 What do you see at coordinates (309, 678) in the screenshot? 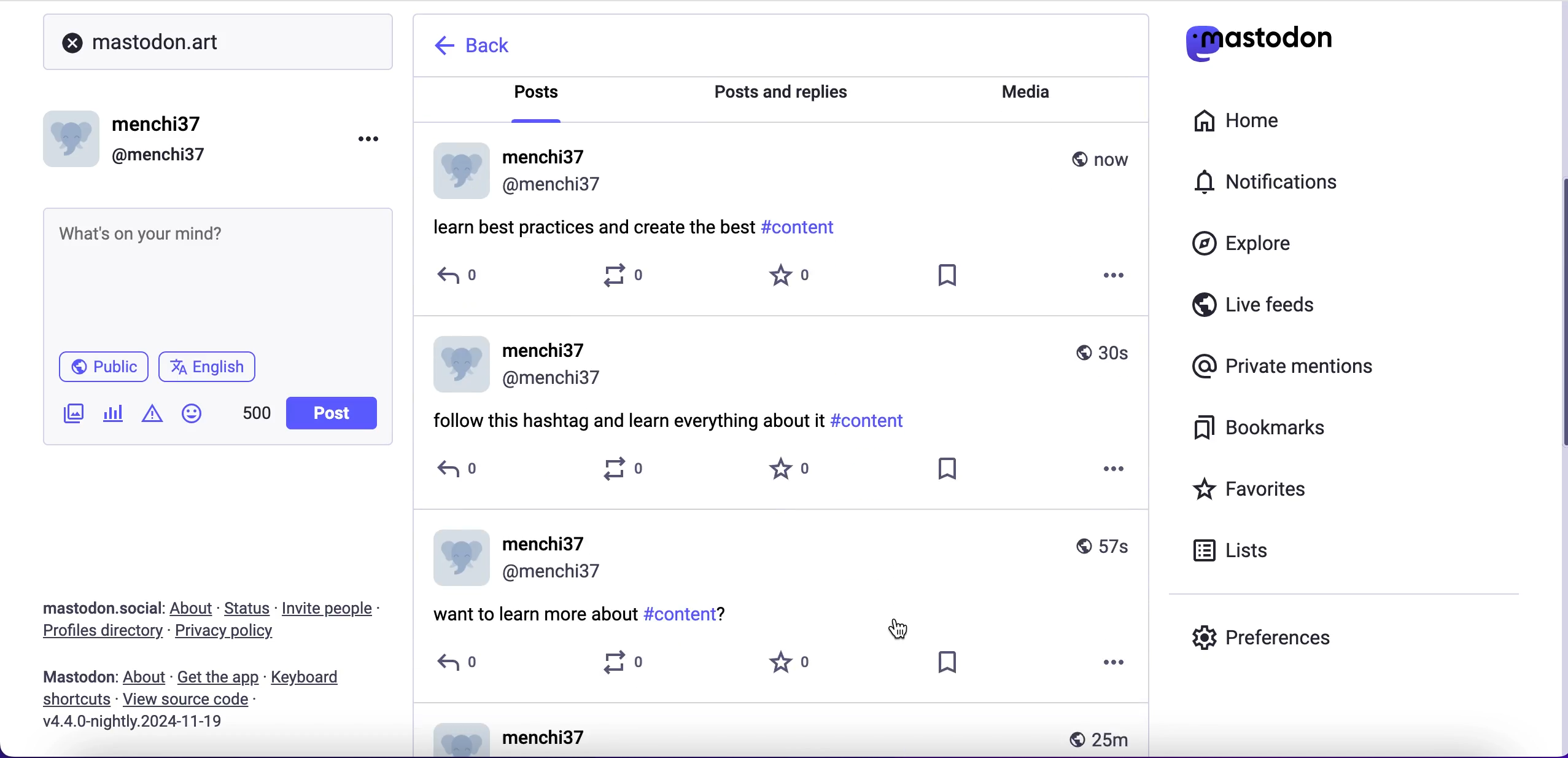
I see `keyboard` at bounding box center [309, 678].